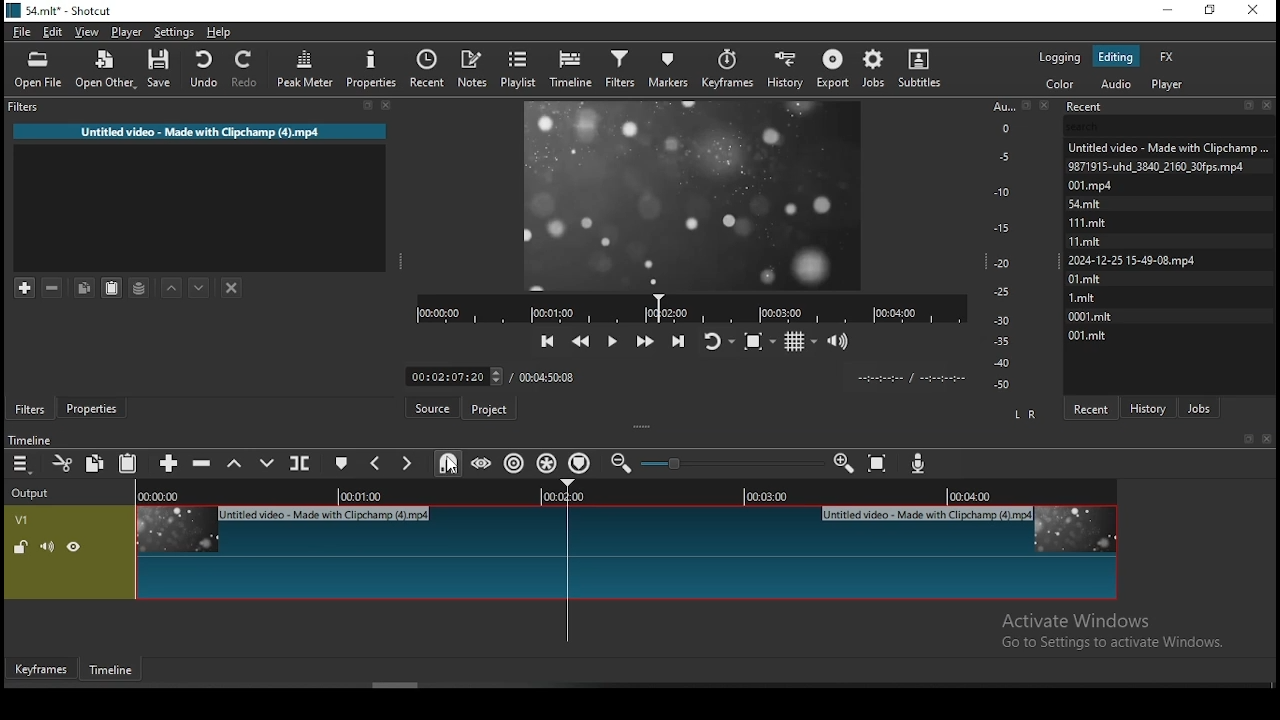  Describe the element at coordinates (128, 463) in the screenshot. I see `paste` at that location.